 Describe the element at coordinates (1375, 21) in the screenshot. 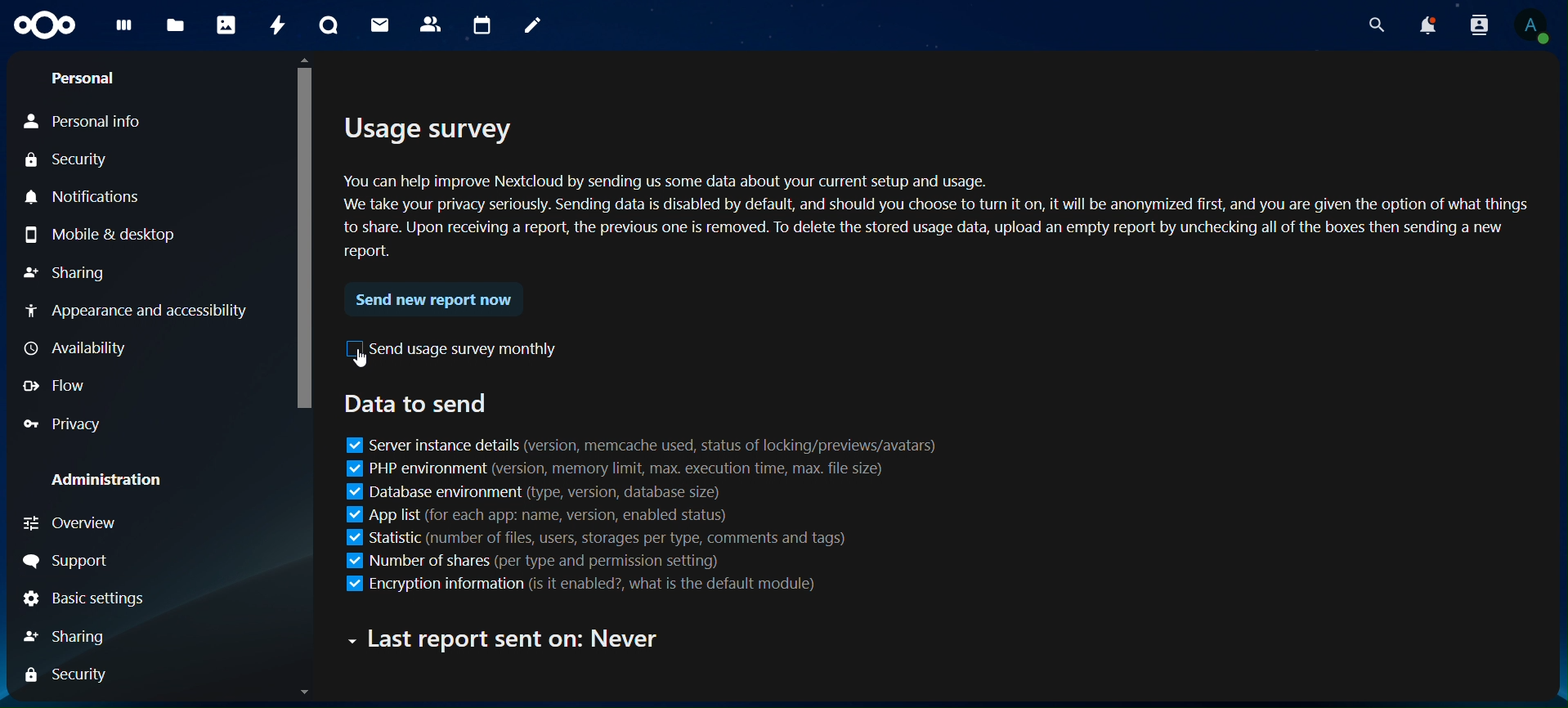

I see `search` at that location.